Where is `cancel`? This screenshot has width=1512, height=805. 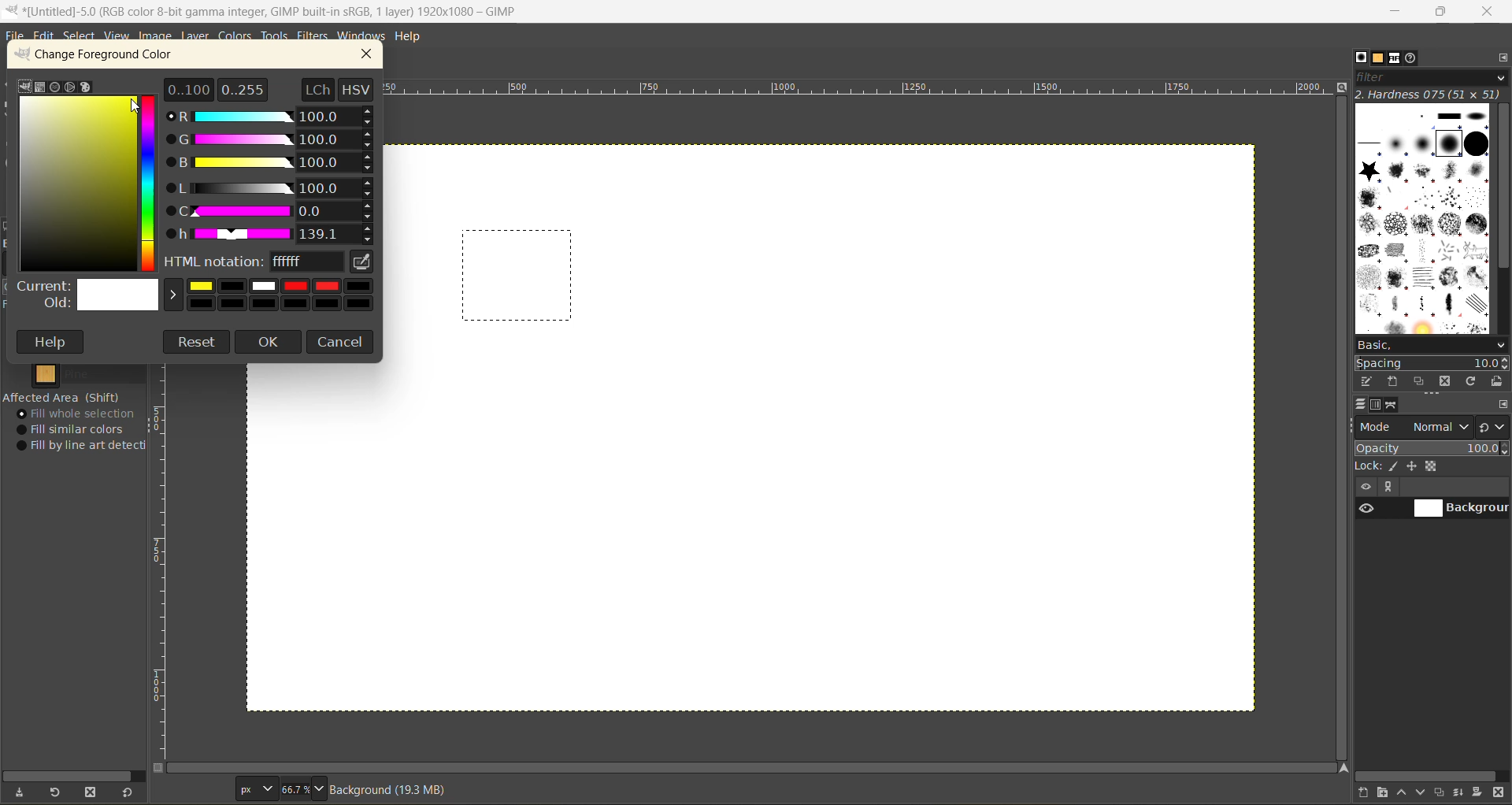
cancel is located at coordinates (343, 342).